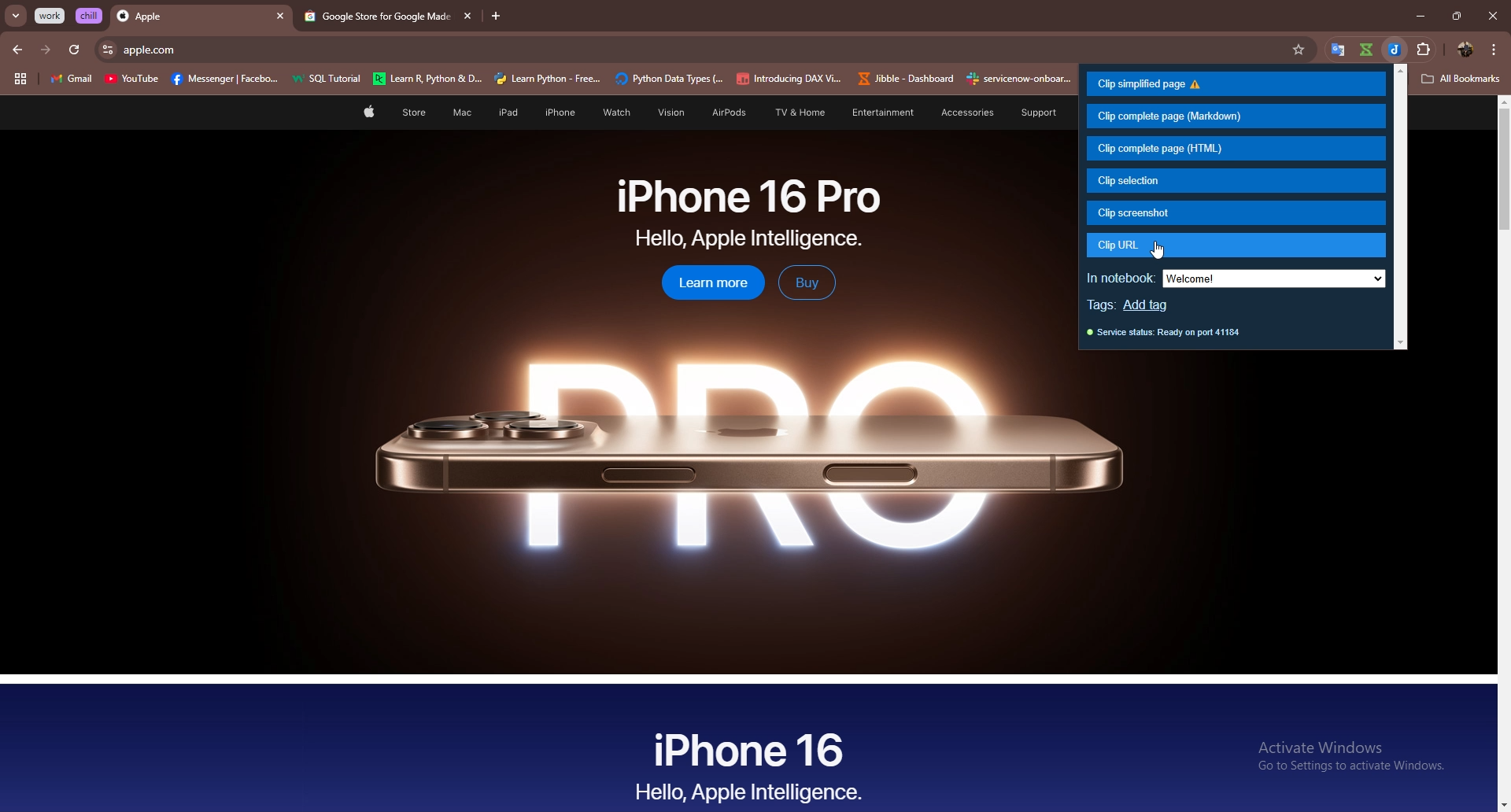 The image size is (1511, 812). What do you see at coordinates (1274, 279) in the screenshot?
I see `Welcome` at bounding box center [1274, 279].